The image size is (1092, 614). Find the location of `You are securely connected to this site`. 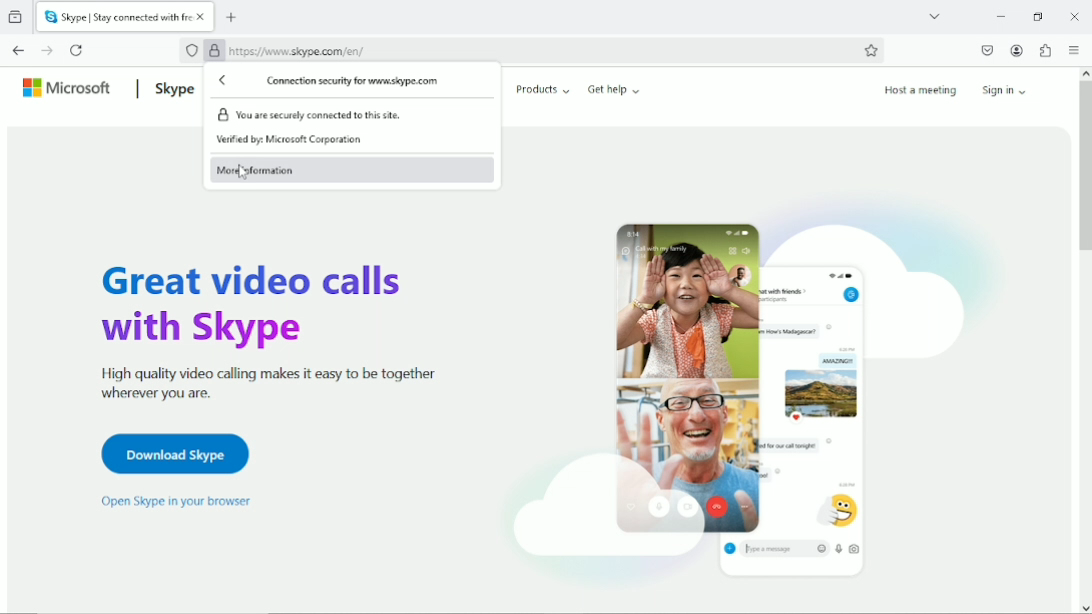

You are securely connected to this site is located at coordinates (341, 114).